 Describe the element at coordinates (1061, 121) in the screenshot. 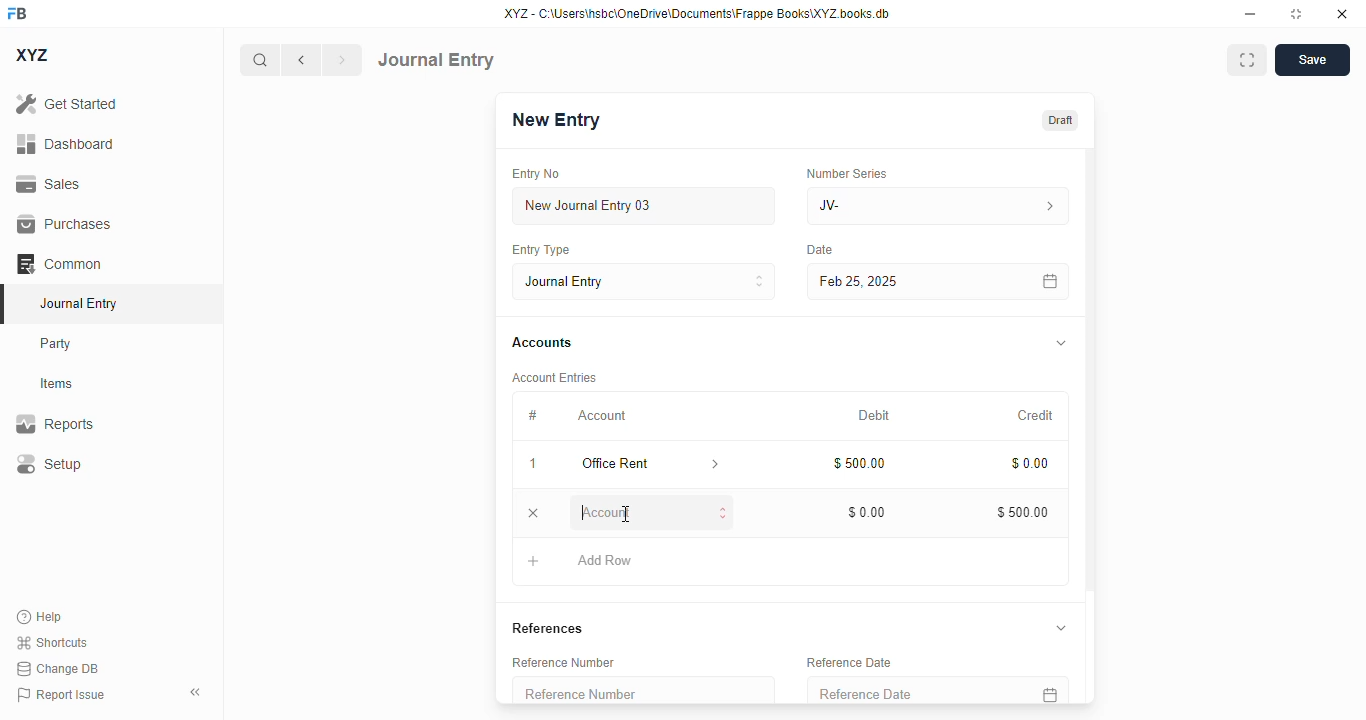

I see `draft` at that location.